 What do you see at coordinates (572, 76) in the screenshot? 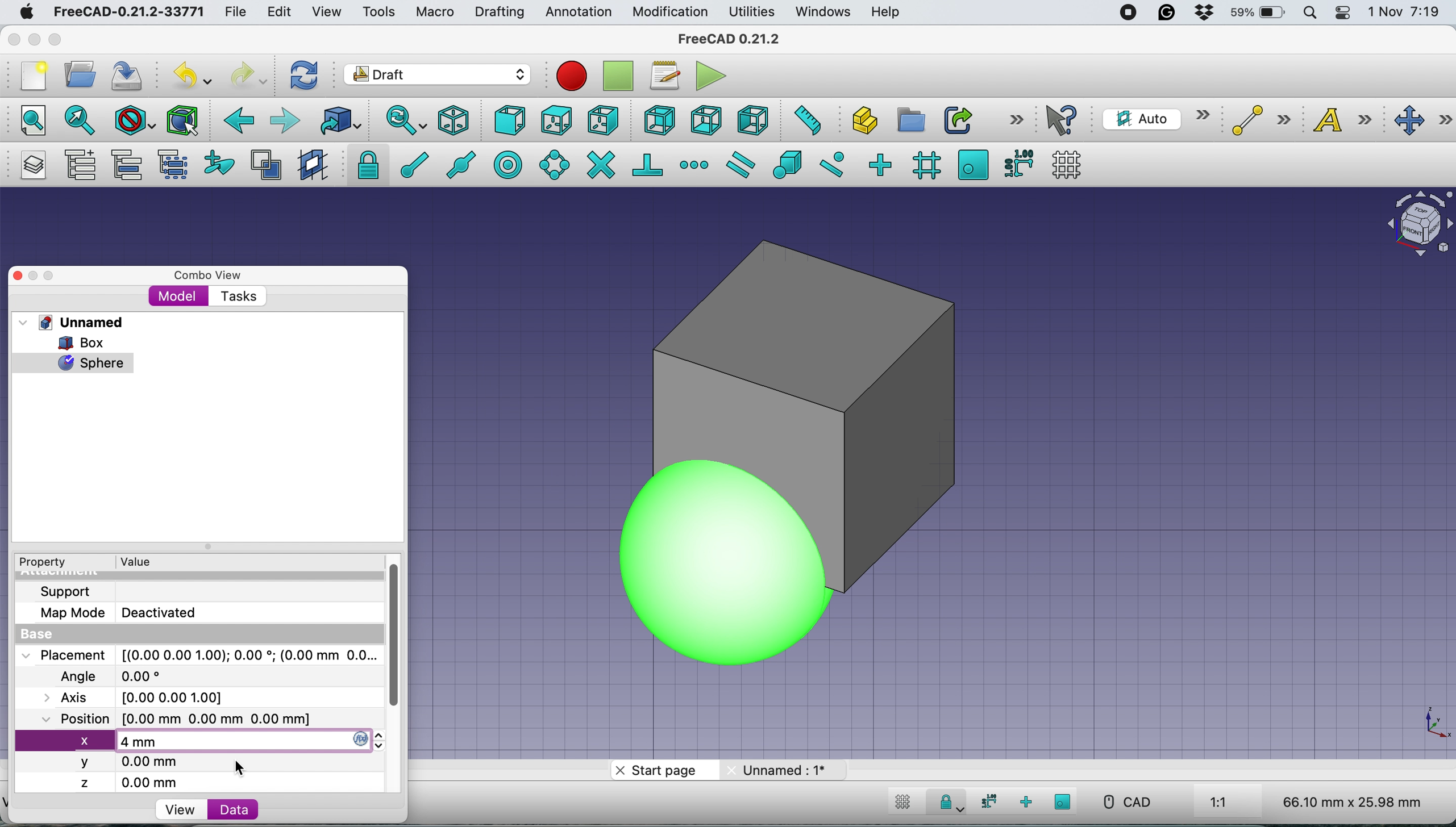
I see `record macros` at bounding box center [572, 76].